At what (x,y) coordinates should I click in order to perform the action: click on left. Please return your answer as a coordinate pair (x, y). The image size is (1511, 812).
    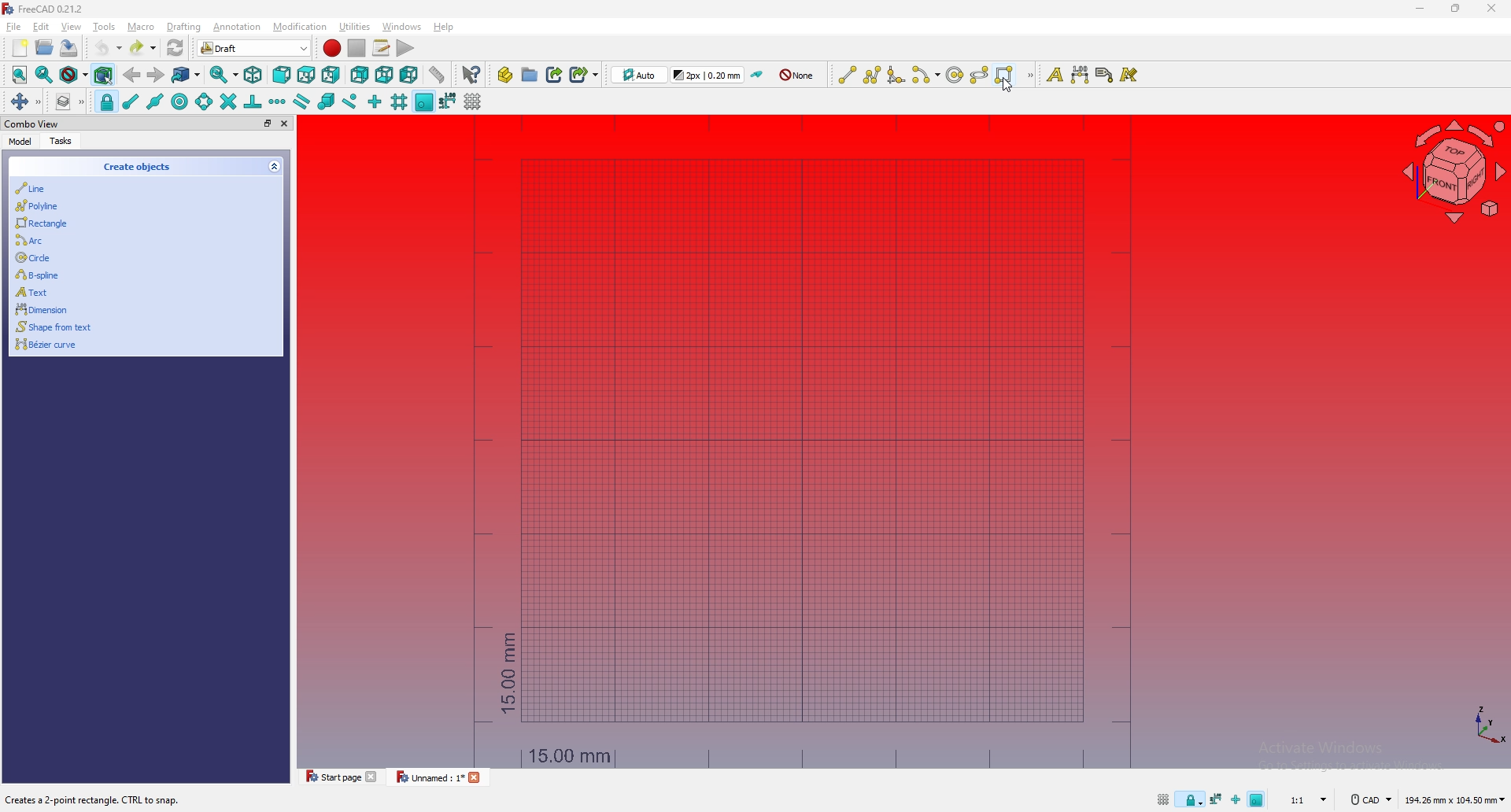
    Looking at the image, I should click on (408, 76).